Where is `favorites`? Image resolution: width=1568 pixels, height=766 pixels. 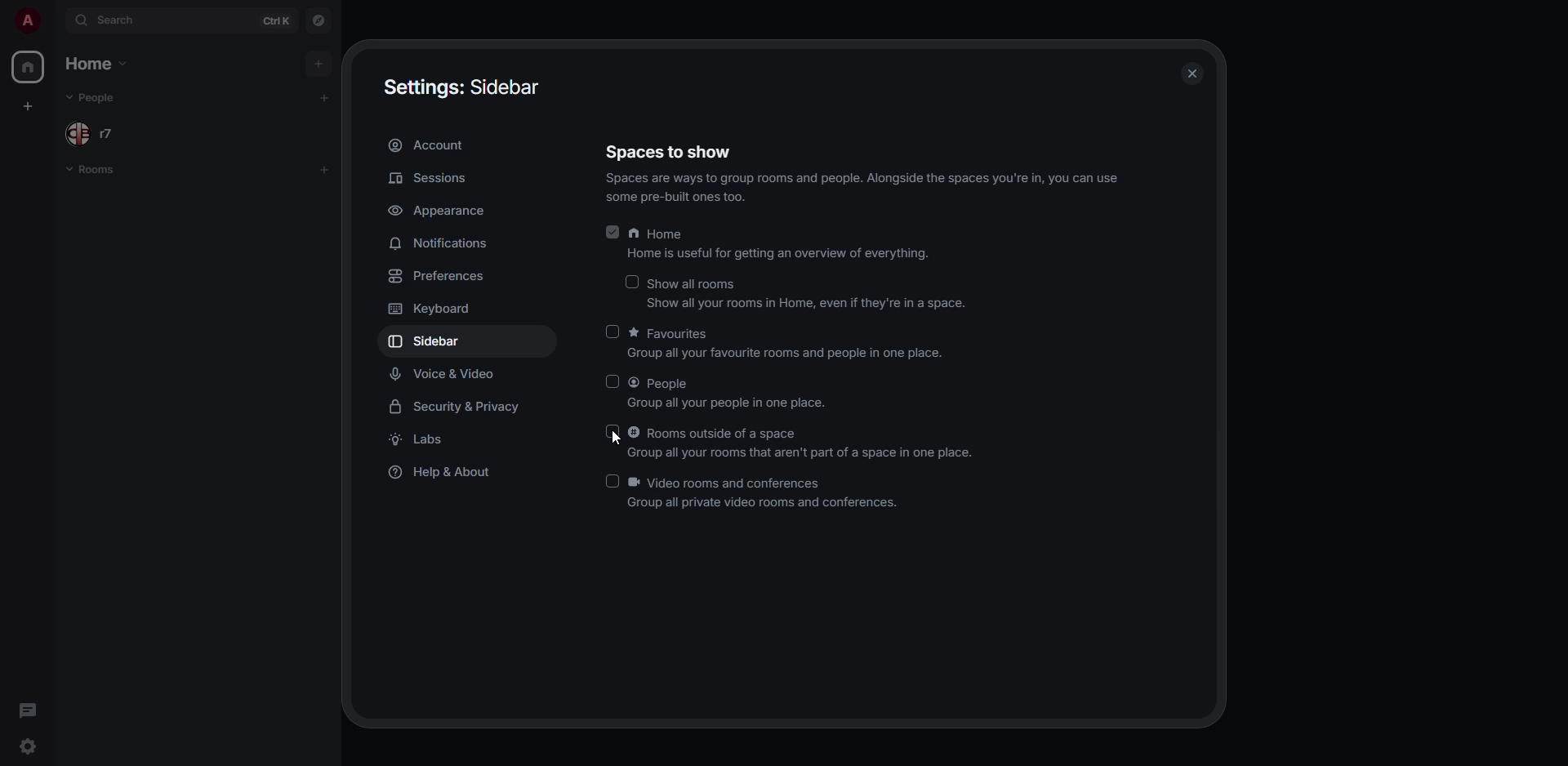
favorites is located at coordinates (790, 345).